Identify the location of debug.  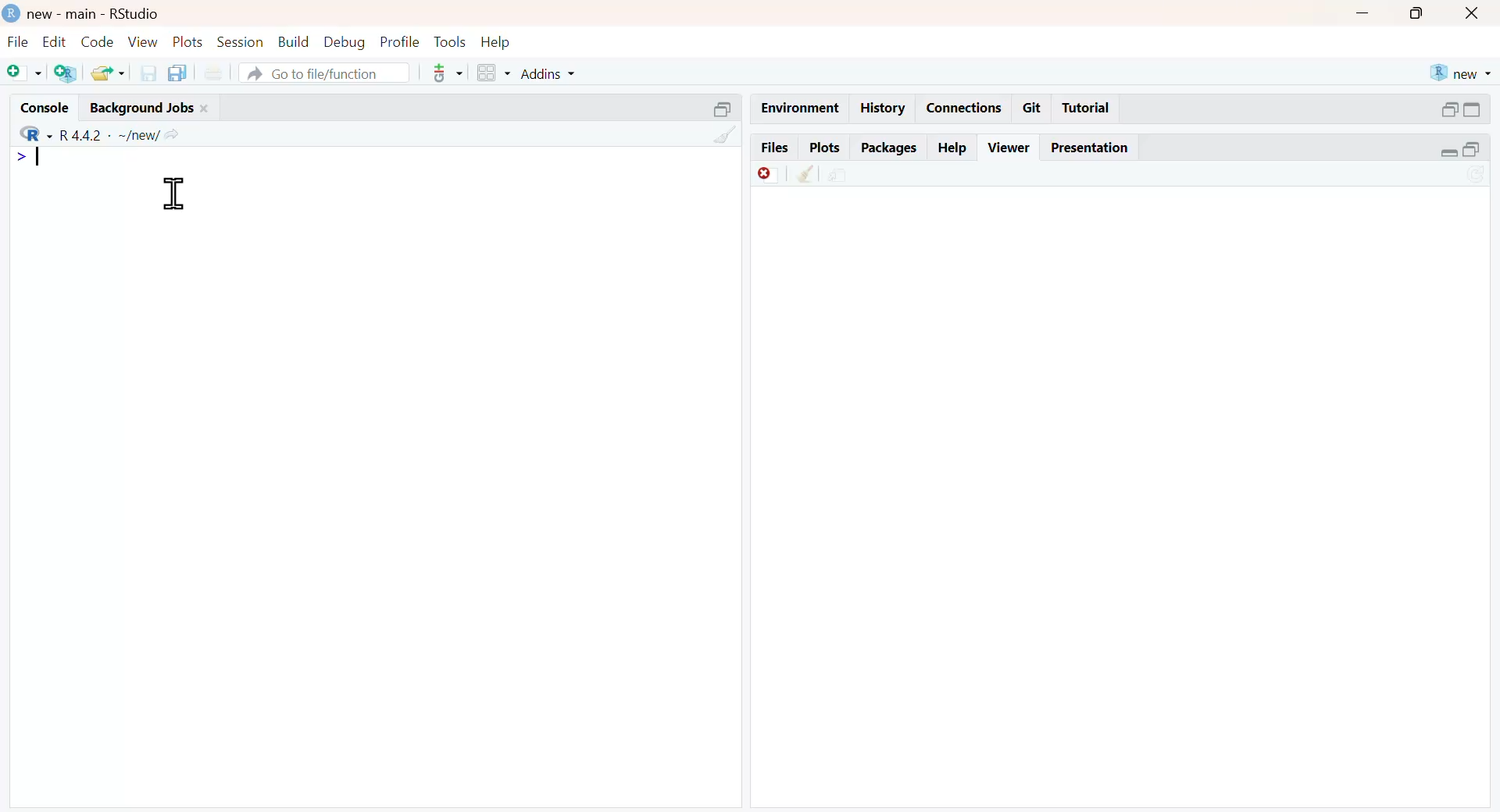
(346, 44).